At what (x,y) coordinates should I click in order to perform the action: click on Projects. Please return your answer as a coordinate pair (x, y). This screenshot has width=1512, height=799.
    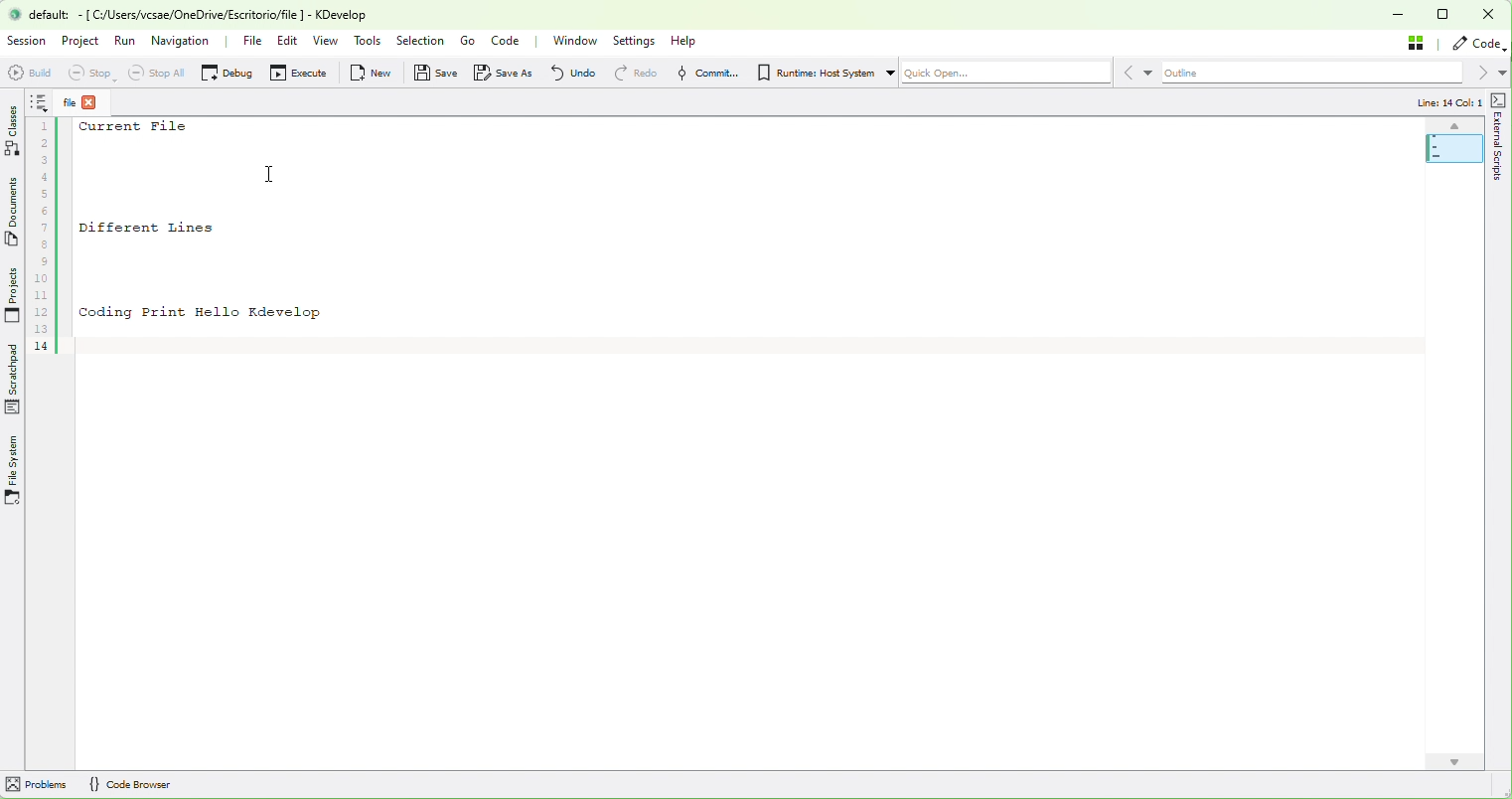
    Looking at the image, I should click on (12, 295).